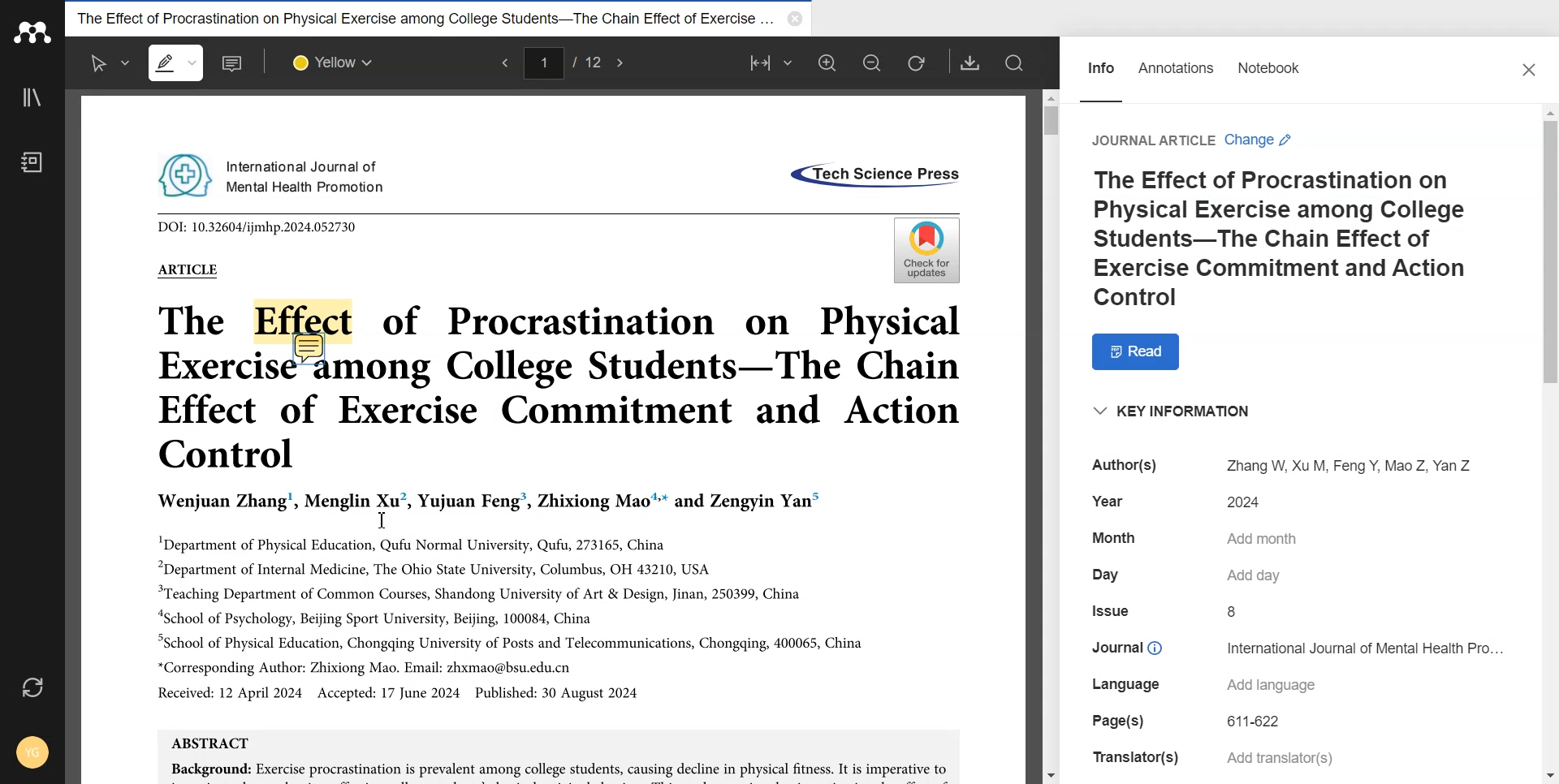  What do you see at coordinates (971, 62) in the screenshot?
I see `Download` at bounding box center [971, 62].